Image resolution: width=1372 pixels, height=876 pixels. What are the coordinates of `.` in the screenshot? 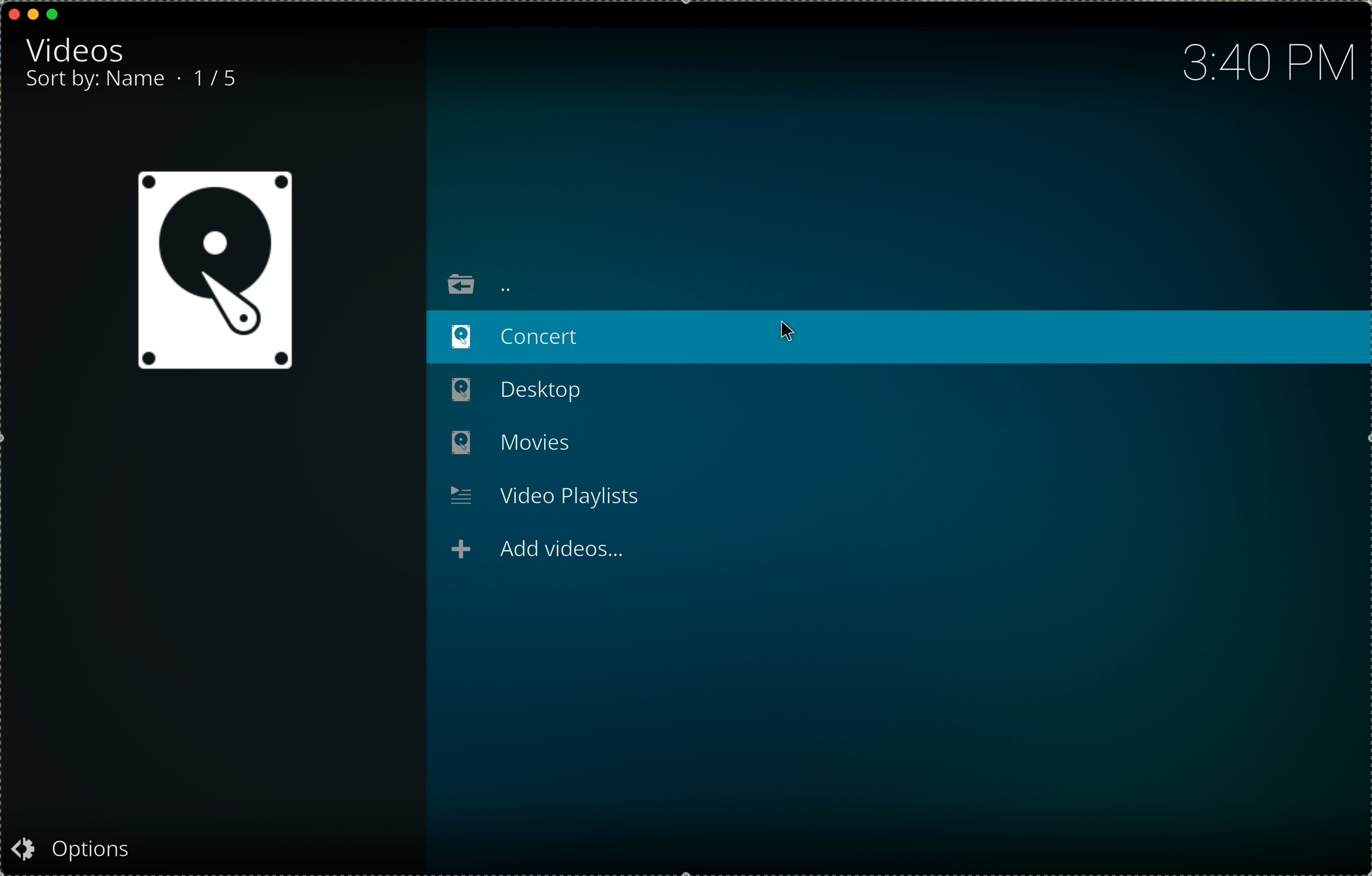 It's located at (182, 77).